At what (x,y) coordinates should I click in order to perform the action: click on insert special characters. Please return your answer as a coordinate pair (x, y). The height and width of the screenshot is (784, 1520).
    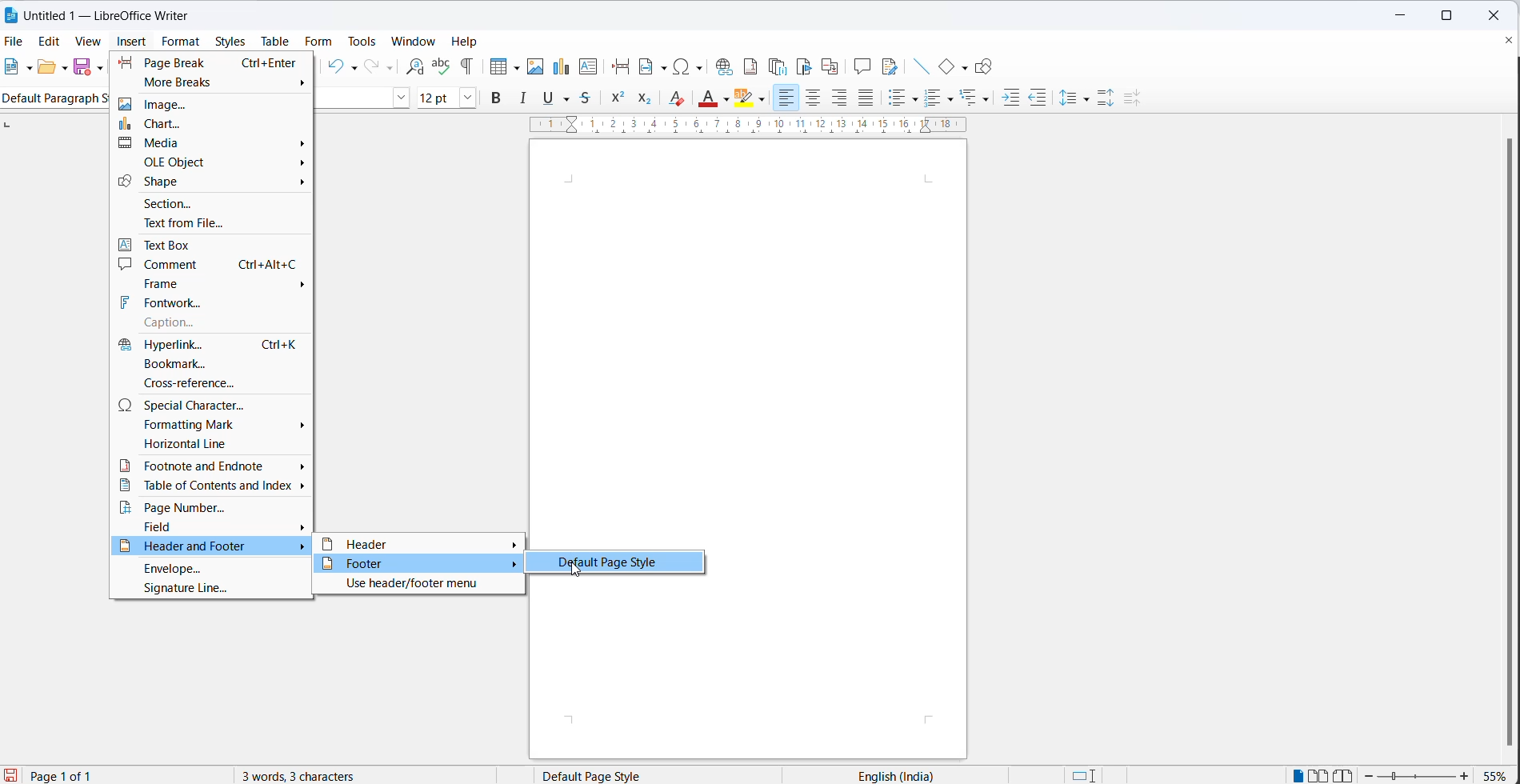
    Looking at the image, I should click on (690, 66).